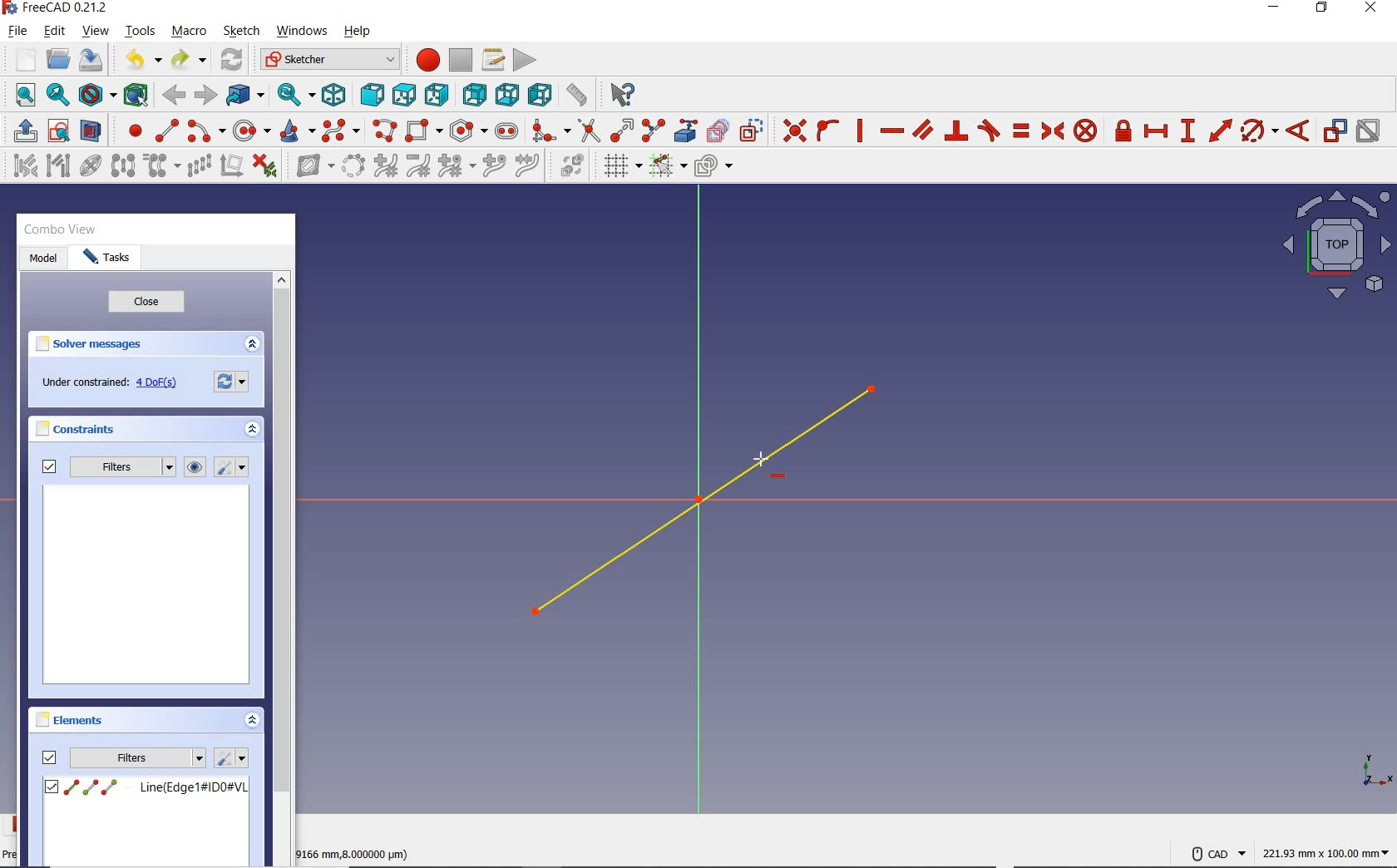 This screenshot has width=1397, height=868. I want to click on BACK, so click(174, 96).